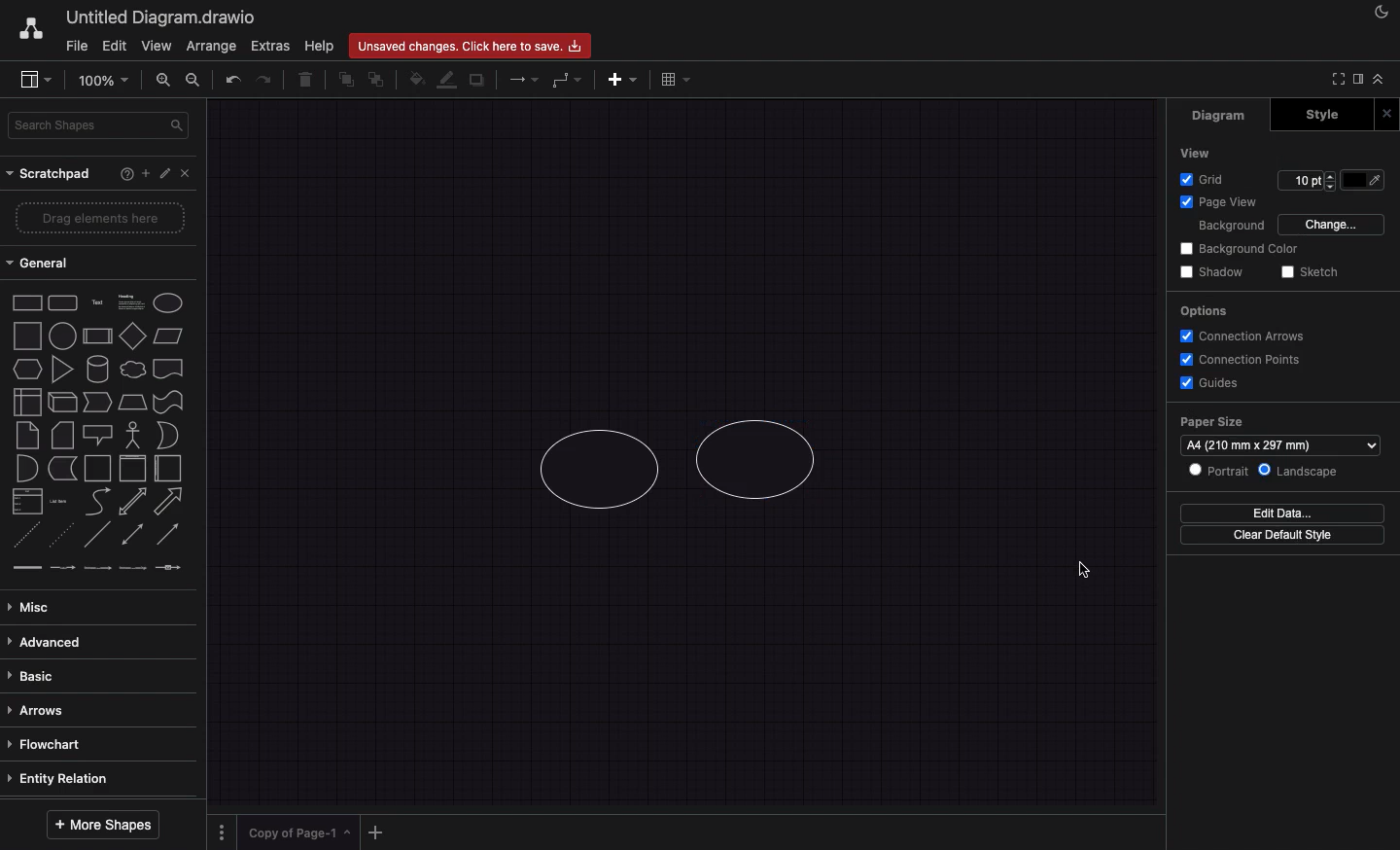 The width and height of the screenshot is (1400, 850). Describe the element at coordinates (131, 533) in the screenshot. I see `bidirectional connector` at that location.